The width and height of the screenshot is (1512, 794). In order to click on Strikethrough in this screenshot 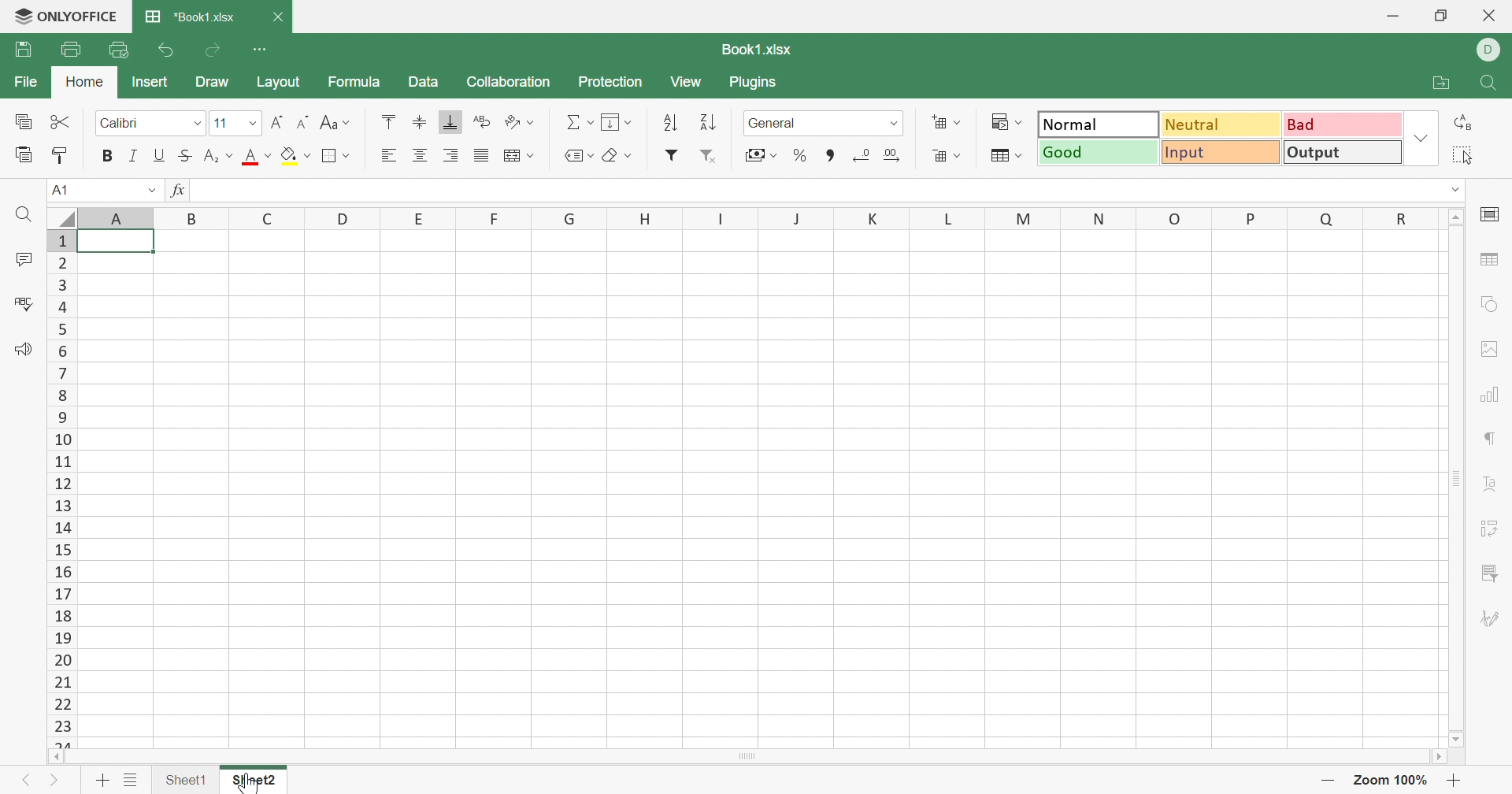, I will do `click(183, 156)`.